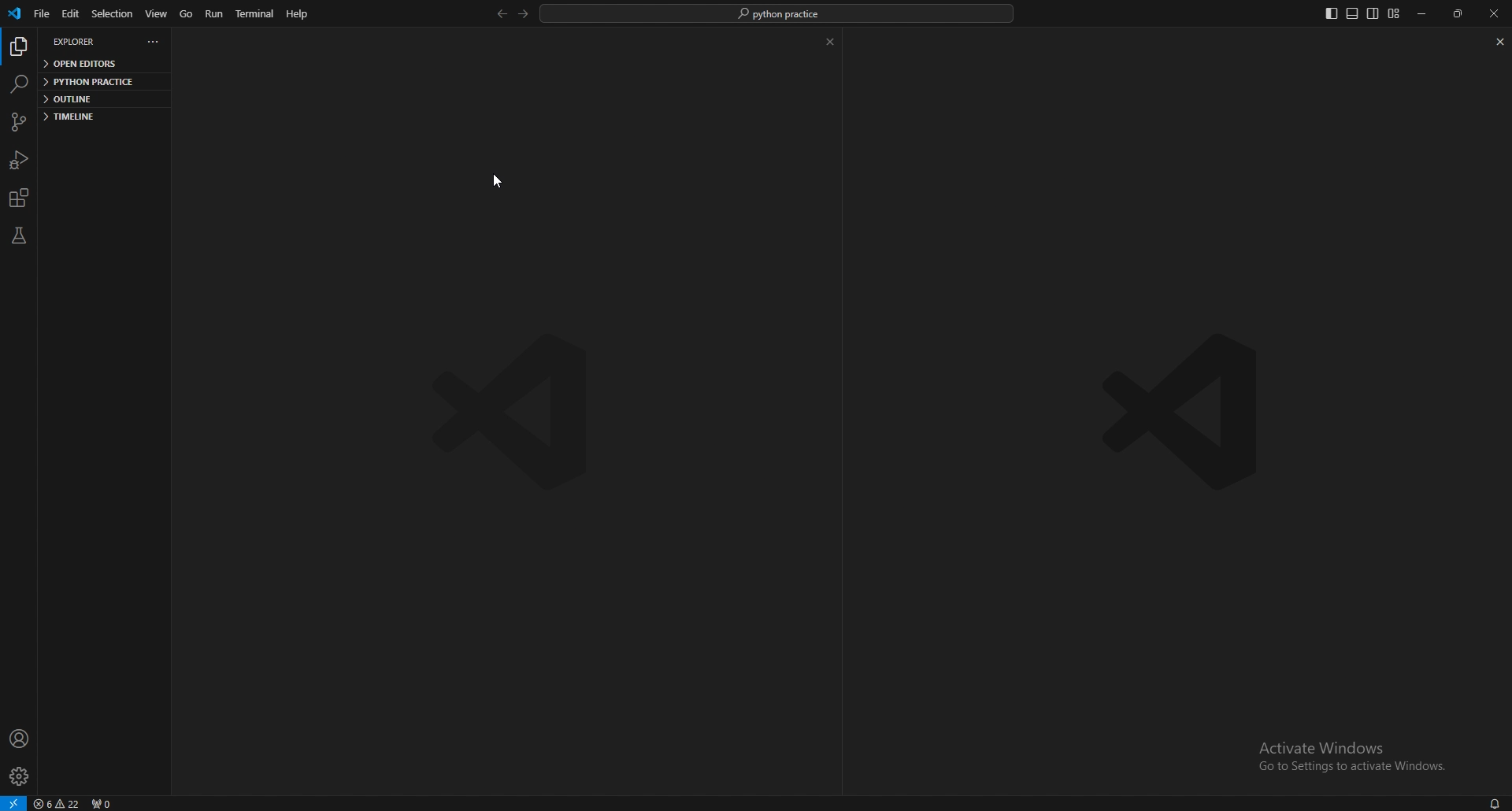 This screenshot has width=1512, height=811. What do you see at coordinates (215, 13) in the screenshot?
I see `run` at bounding box center [215, 13].